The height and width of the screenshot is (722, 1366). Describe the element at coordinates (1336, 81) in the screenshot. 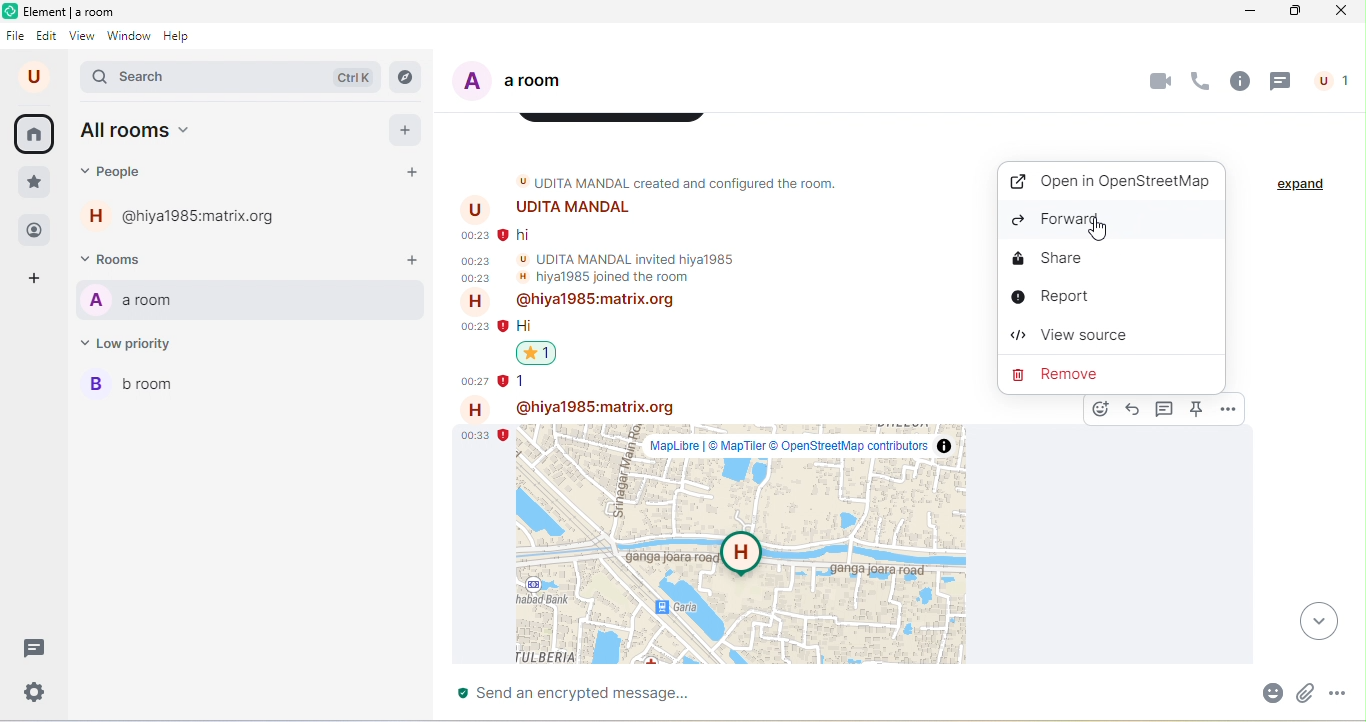

I see `people` at that location.